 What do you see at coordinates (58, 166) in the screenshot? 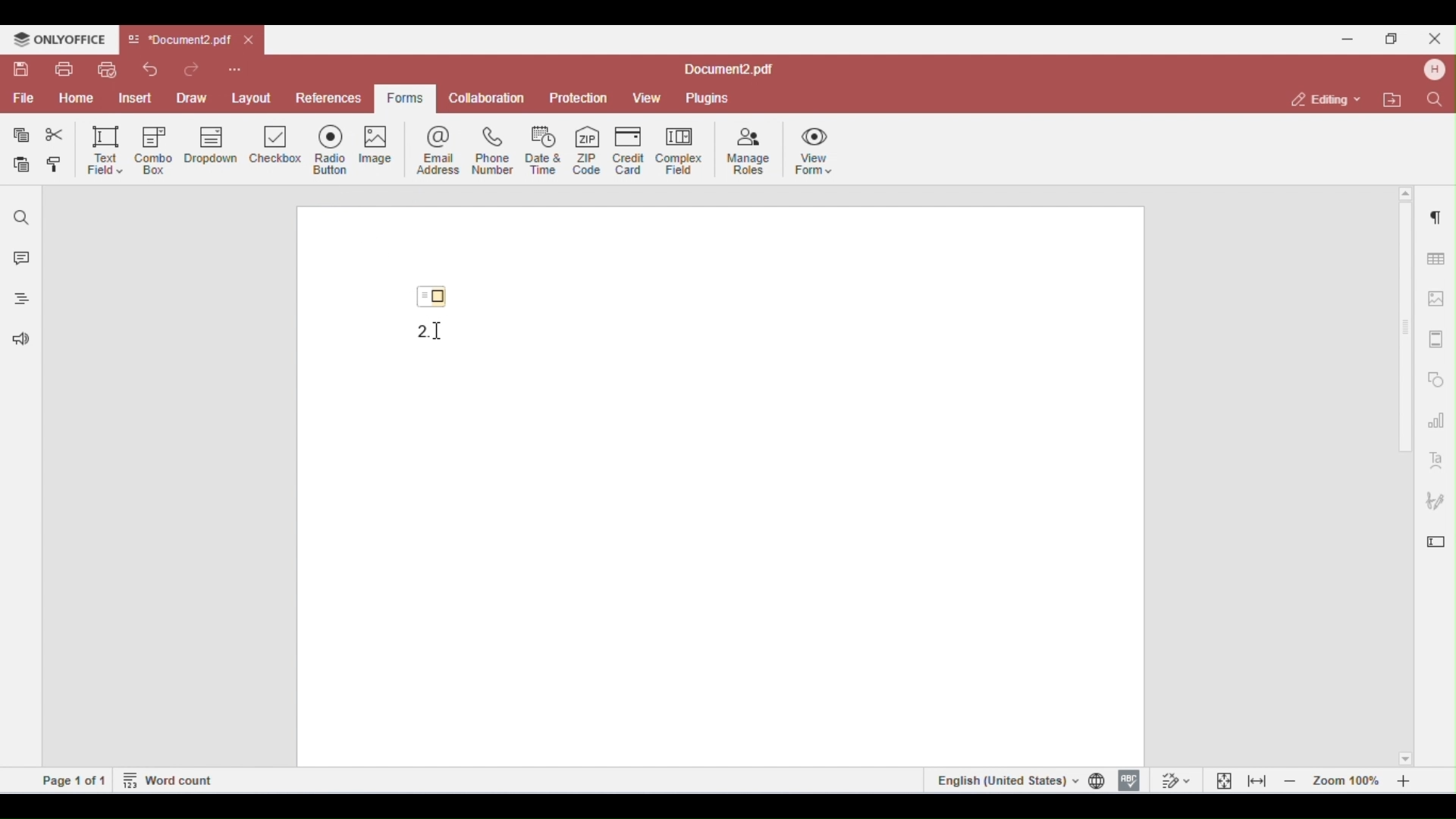
I see `copy style` at bounding box center [58, 166].